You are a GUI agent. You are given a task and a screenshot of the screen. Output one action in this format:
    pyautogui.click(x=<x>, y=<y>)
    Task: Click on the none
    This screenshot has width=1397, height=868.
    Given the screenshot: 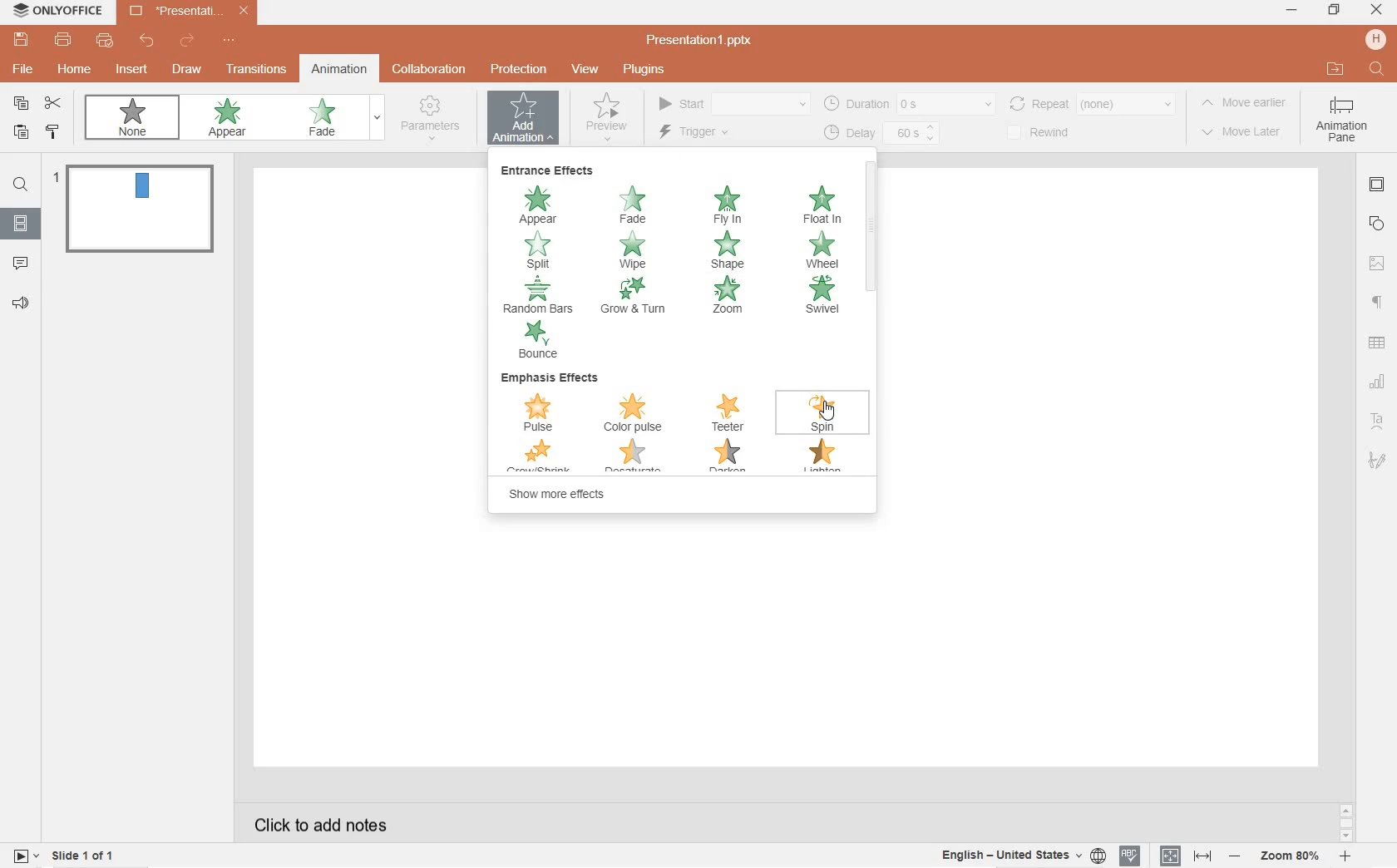 What is the action you would take?
    pyautogui.click(x=132, y=116)
    